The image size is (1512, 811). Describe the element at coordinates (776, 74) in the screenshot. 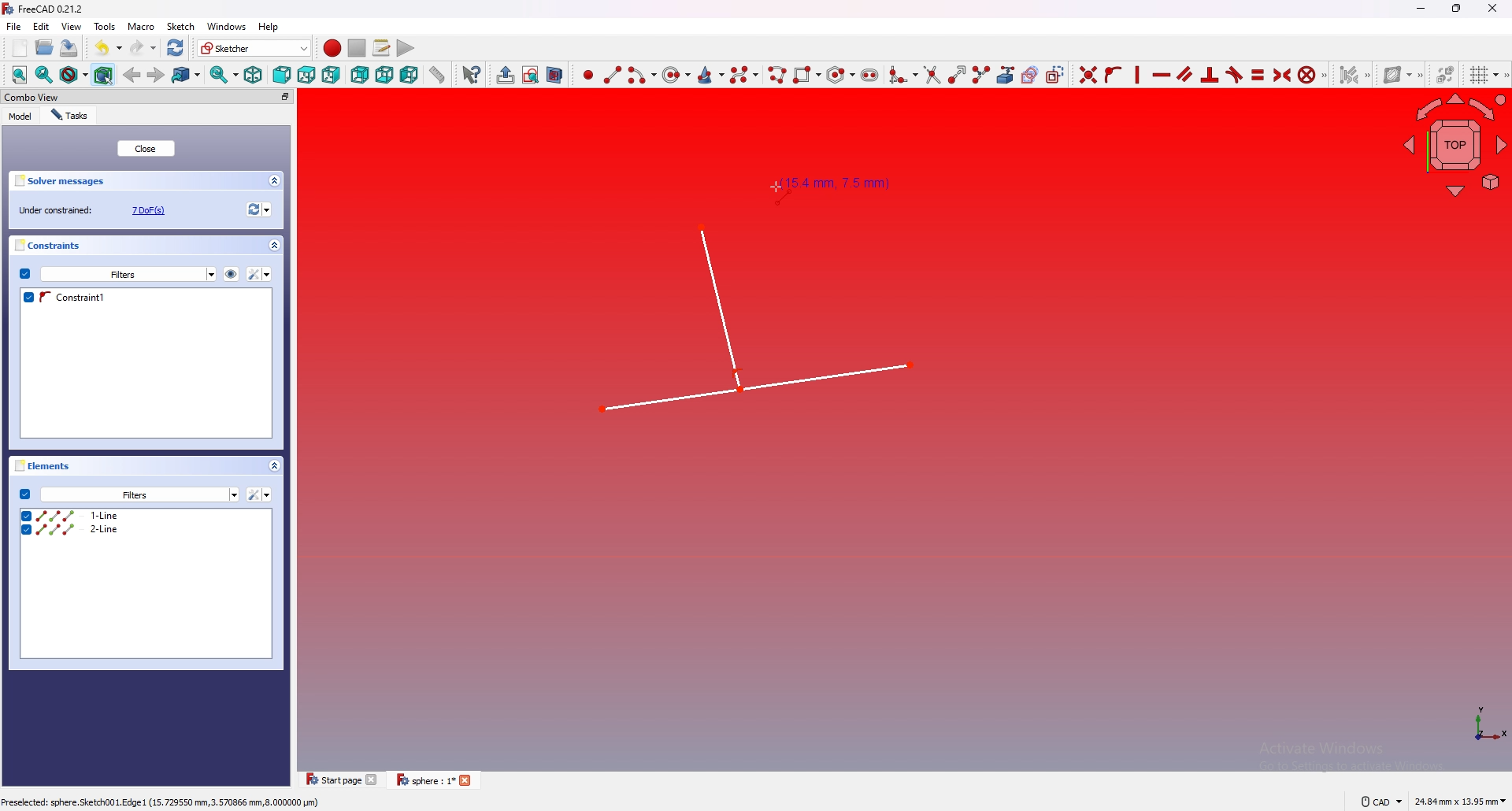

I see `Create polyline` at that location.